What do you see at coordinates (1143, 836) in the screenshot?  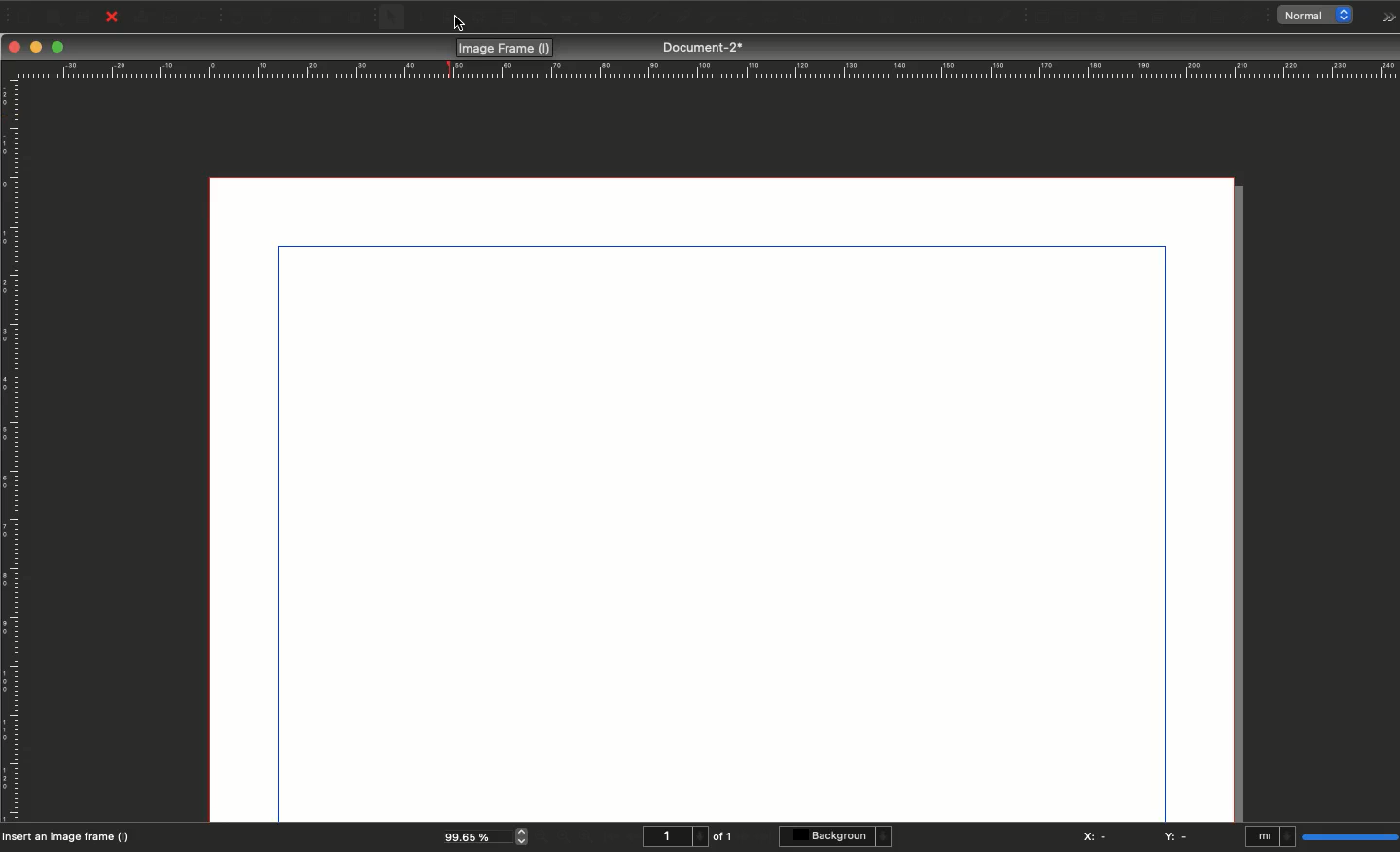 I see `X: -    Y: -` at bounding box center [1143, 836].